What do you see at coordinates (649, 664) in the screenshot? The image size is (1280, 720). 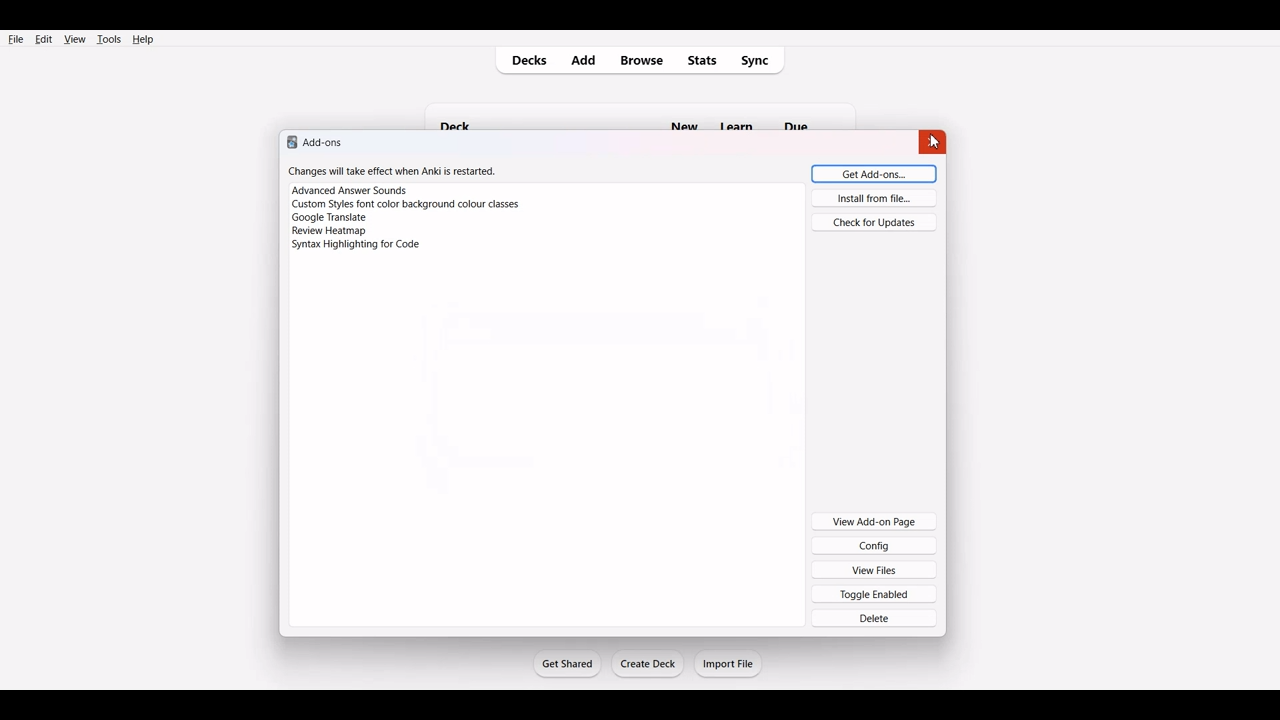 I see `Create Deck` at bounding box center [649, 664].